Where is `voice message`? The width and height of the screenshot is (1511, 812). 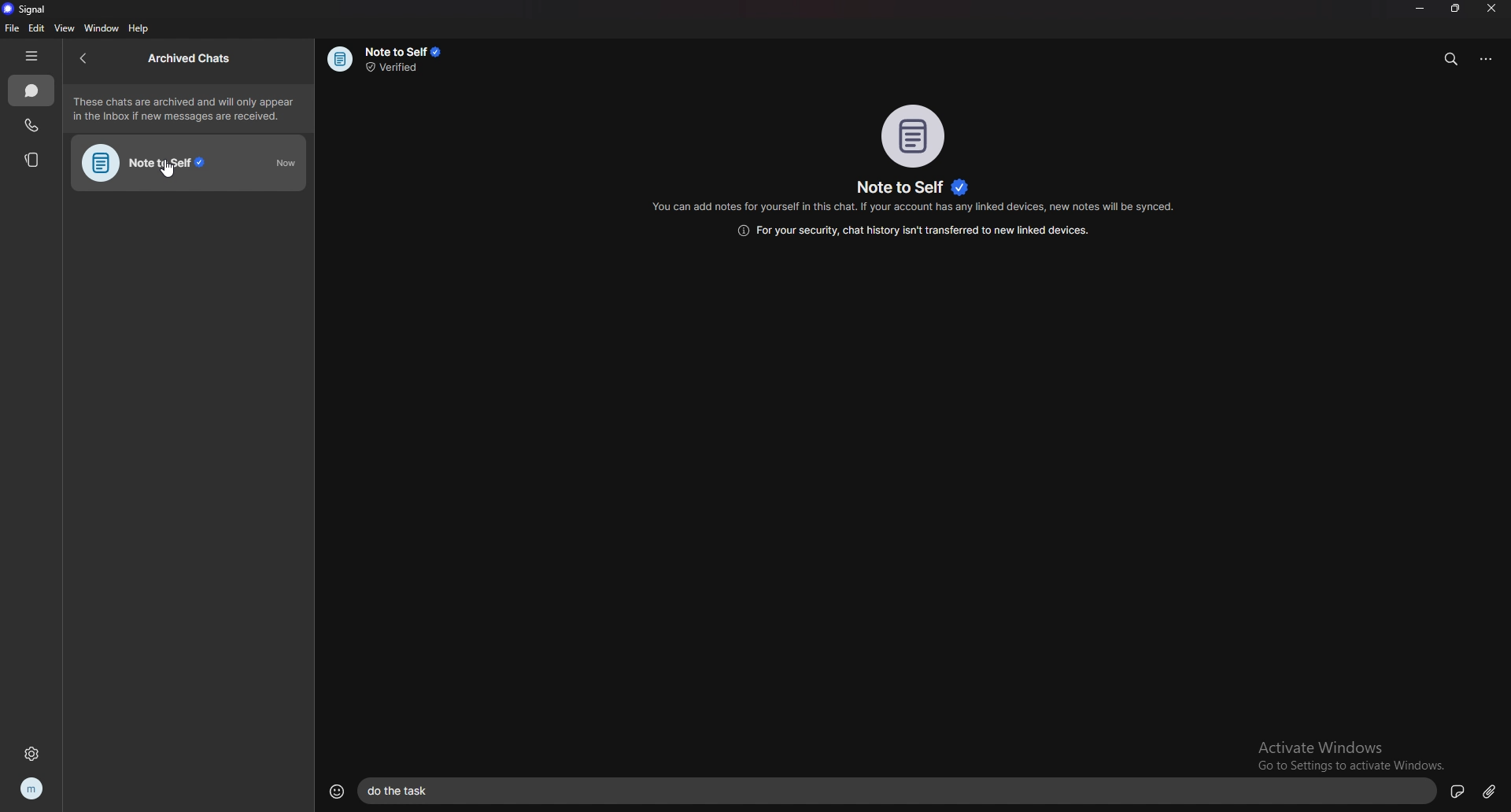 voice message is located at coordinates (1458, 790).